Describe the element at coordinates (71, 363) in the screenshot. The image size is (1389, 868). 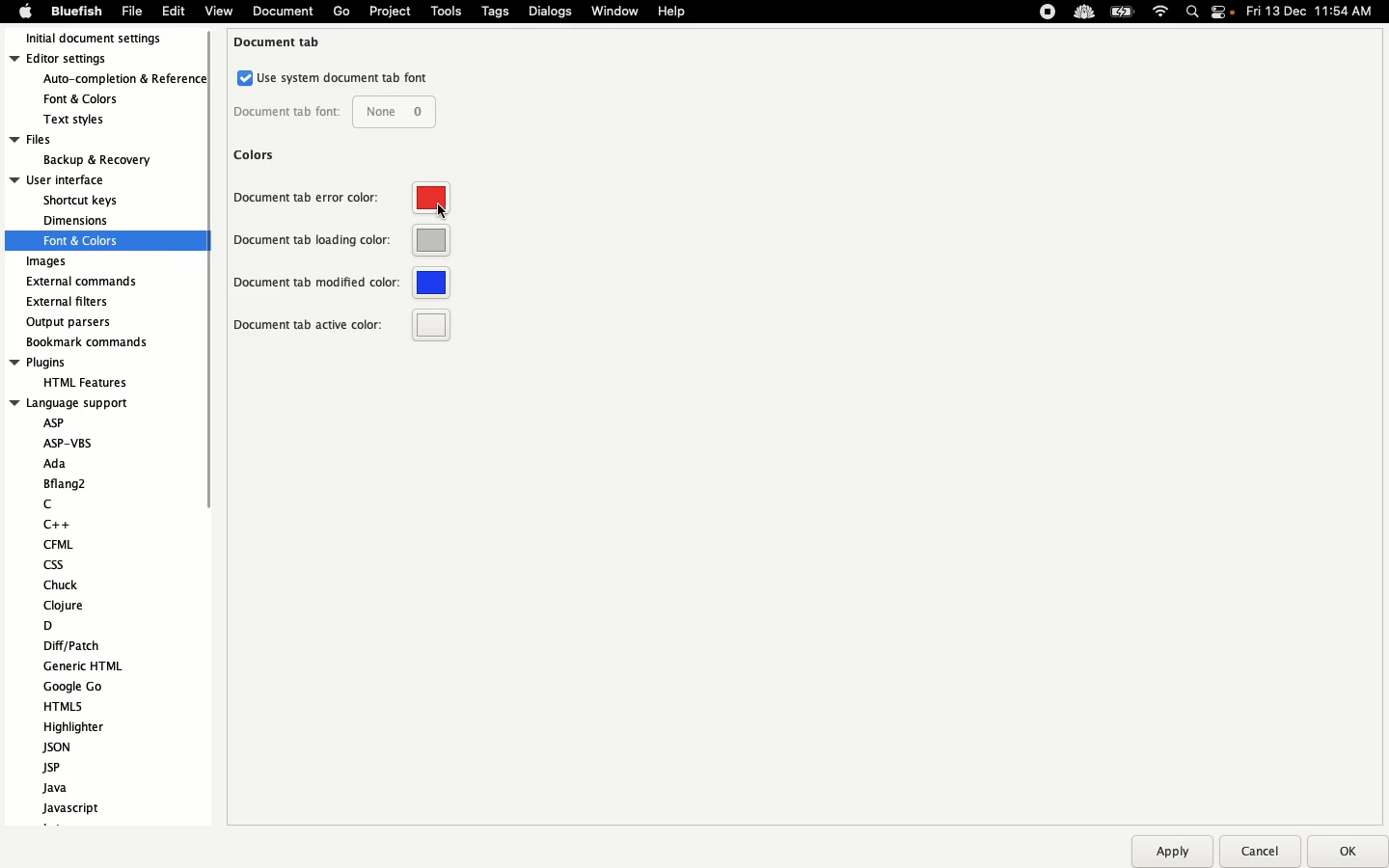
I see `Plugins` at that location.